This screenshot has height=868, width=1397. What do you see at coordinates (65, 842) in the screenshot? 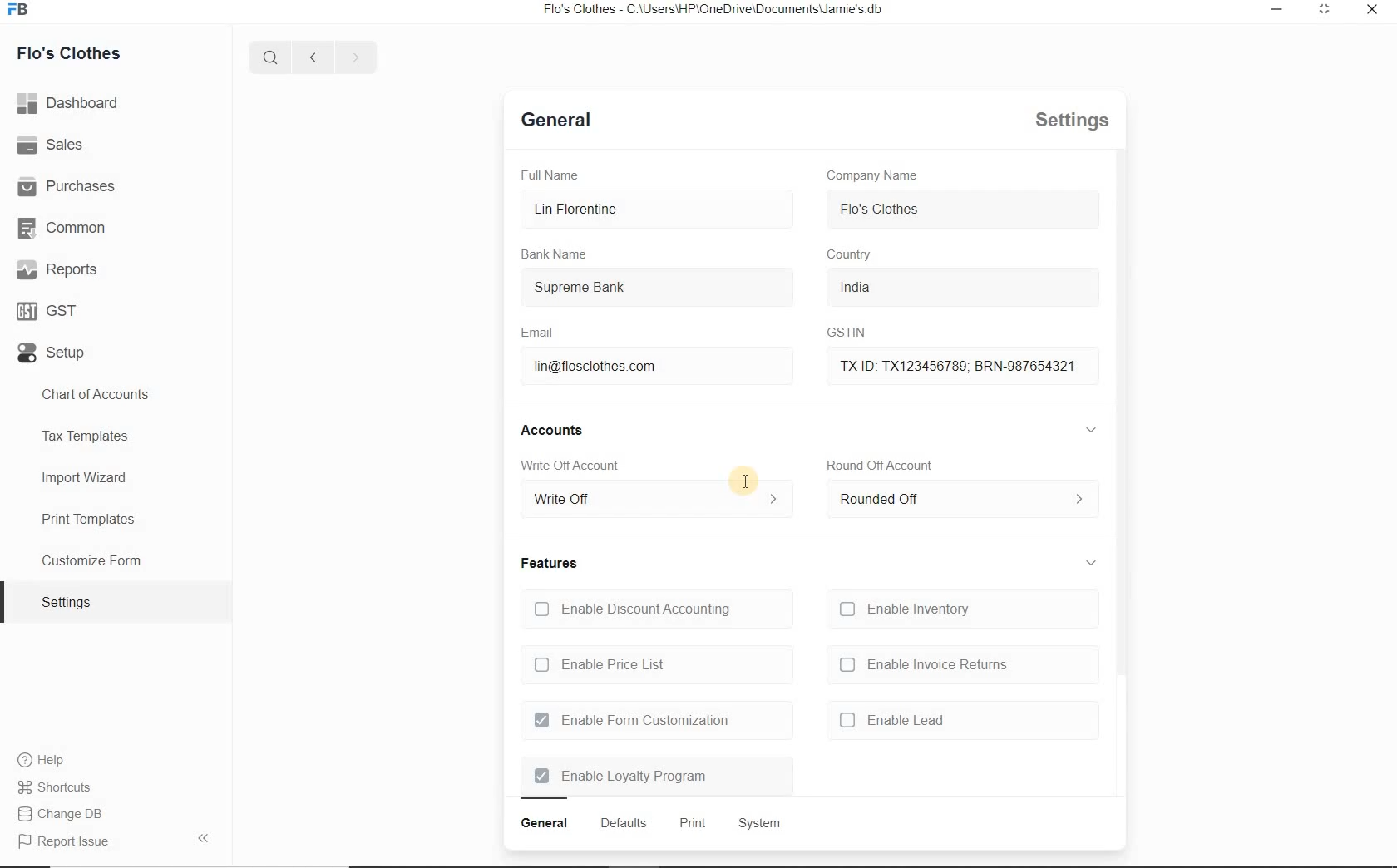
I see `Report issue` at bounding box center [65, 842].